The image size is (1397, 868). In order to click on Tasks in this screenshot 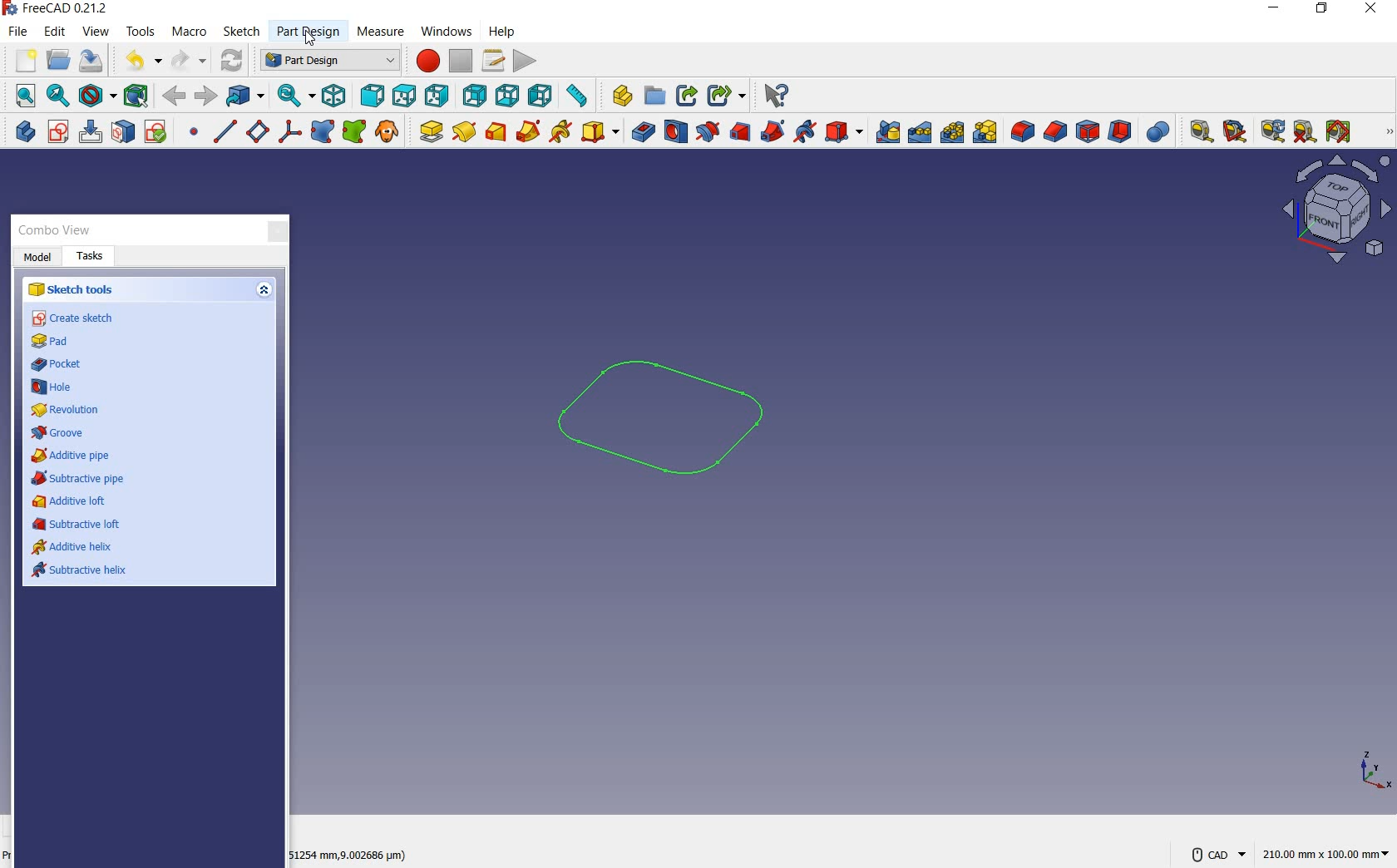, I will do `click(90, 258)`.